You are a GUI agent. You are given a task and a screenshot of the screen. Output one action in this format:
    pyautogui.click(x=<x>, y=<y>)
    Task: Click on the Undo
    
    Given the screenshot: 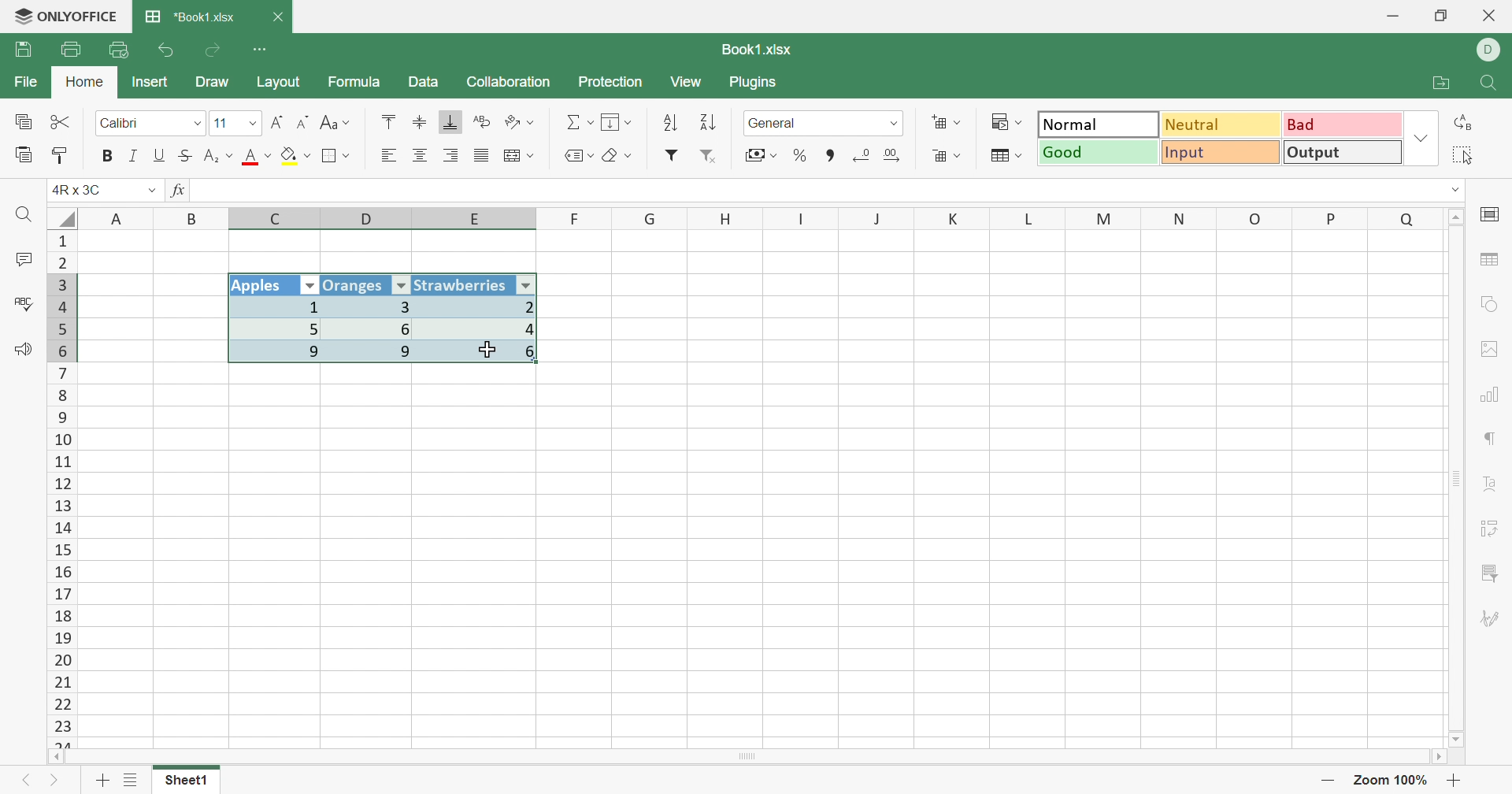 What is the action you would take?
    pyautogui.click(x=167, y=50)
    